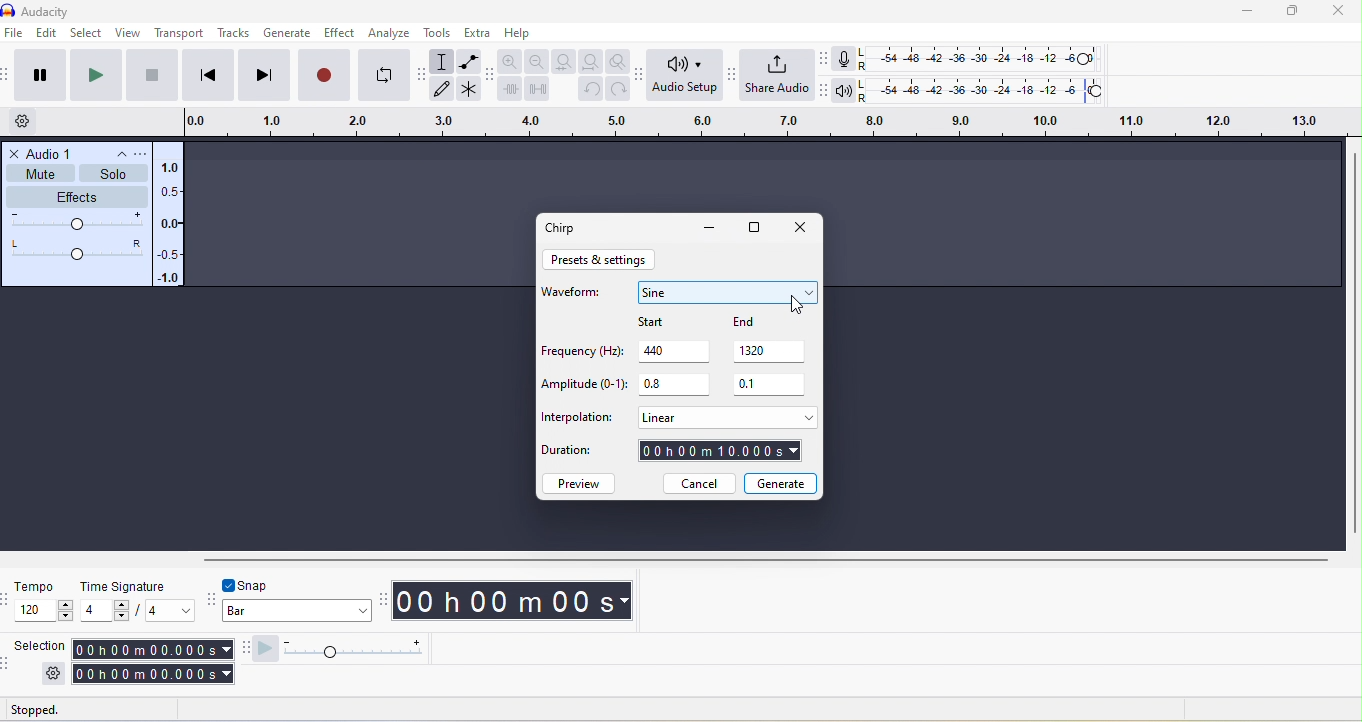 This screenshot has width=1362, height=722. I want to click on audacity playback meter toolbar, so click(824, 88).